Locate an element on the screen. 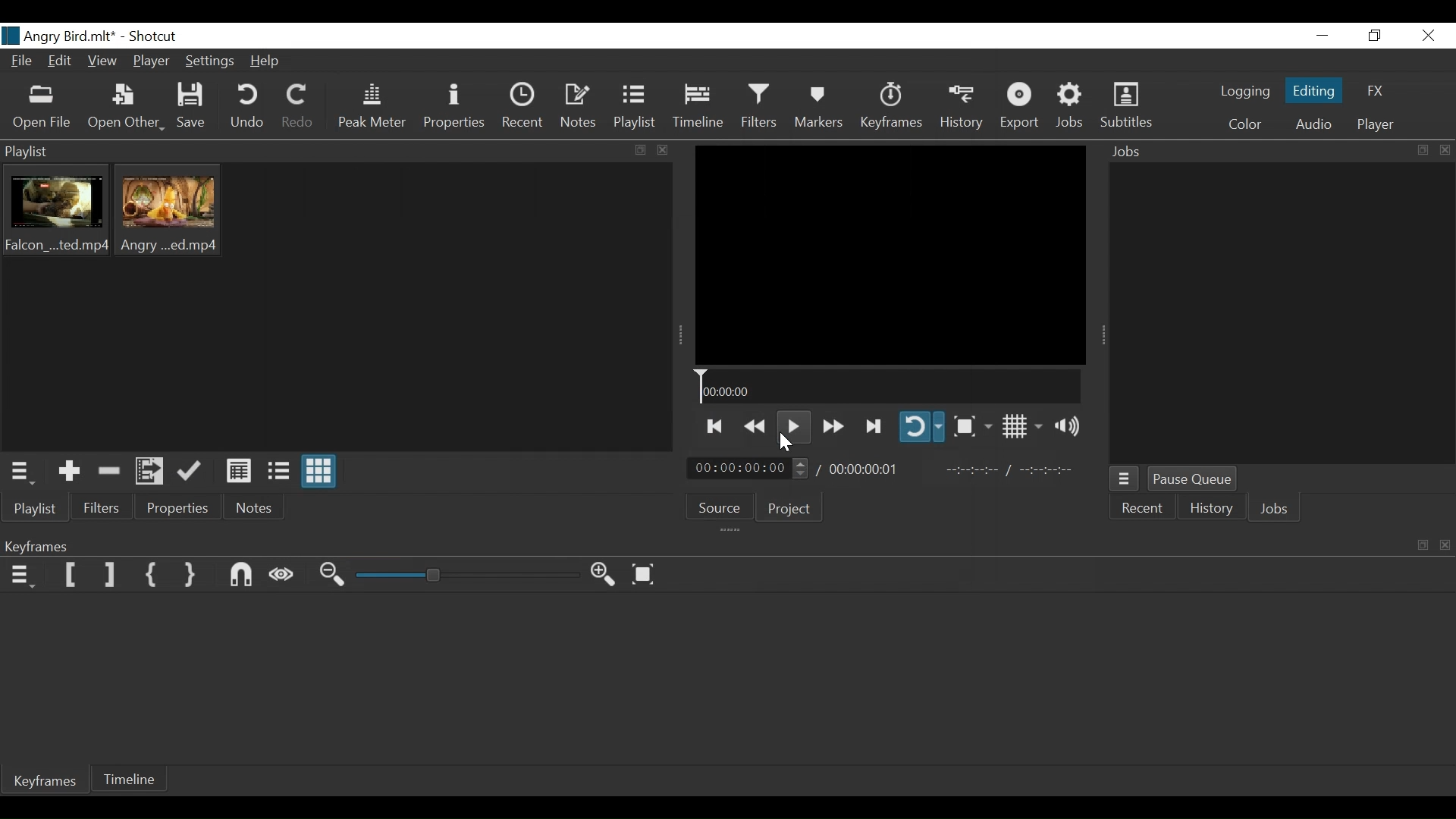  Edit is located at coordinates (62, 61).